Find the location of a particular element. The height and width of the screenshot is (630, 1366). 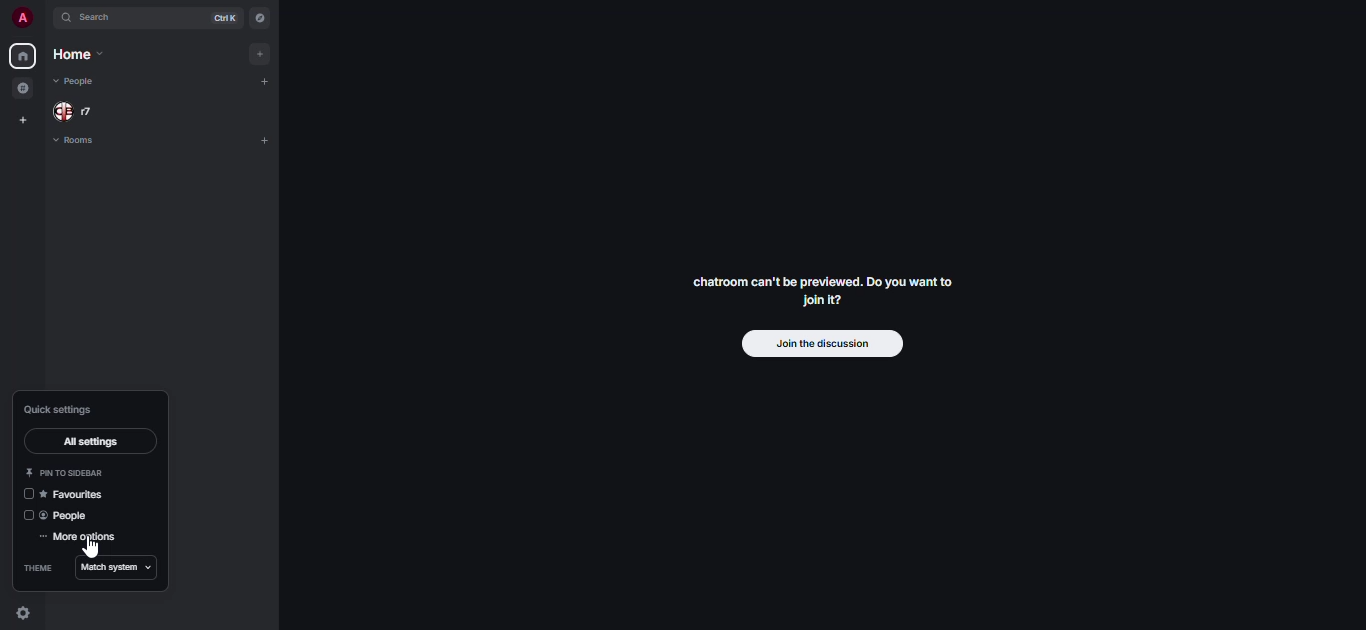

ctrl K is located at coordinates (222, 18).